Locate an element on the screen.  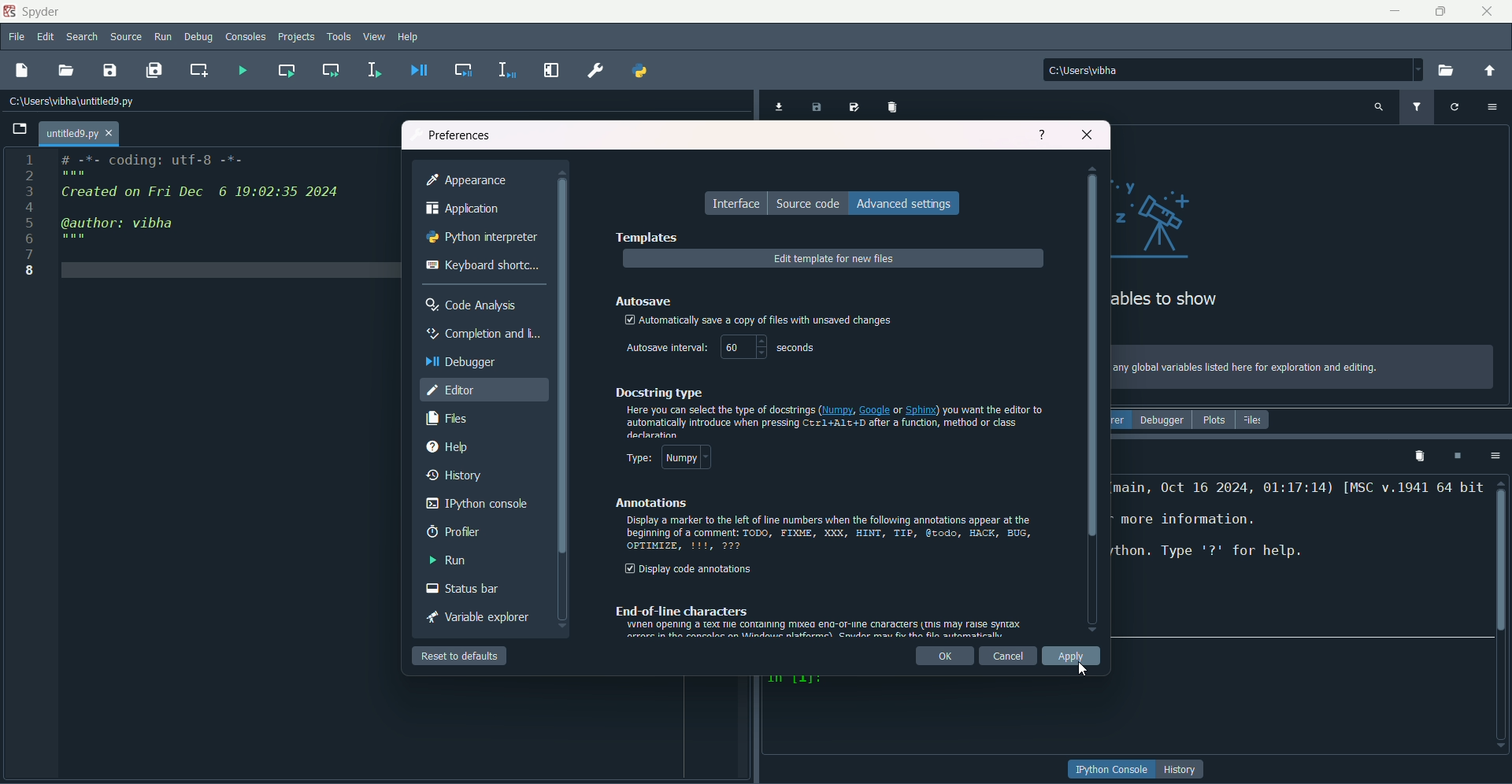
application is located at coordinates (464, 209).